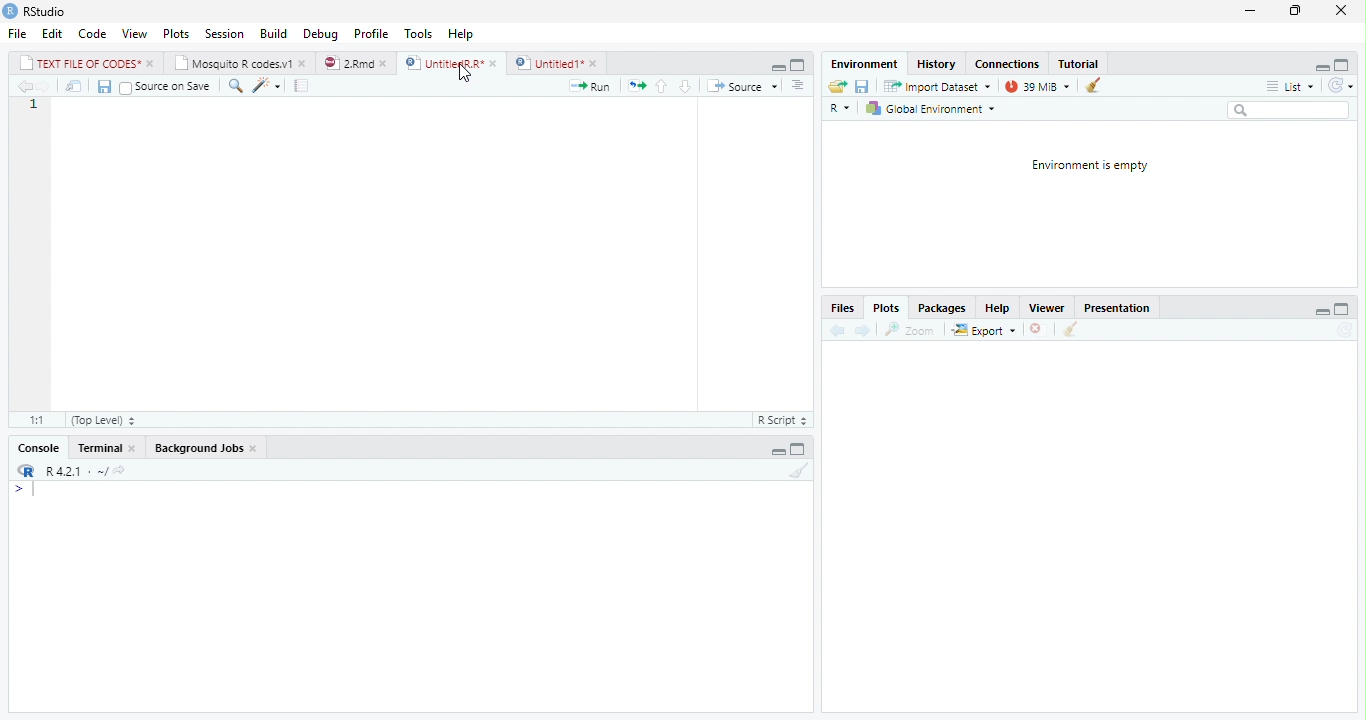 The height and width of the screenshot is (720, 1366). What do you see at coordinates (23, 489) in the screenshot?
I see `Typing Indicator` at bounding box center [23, 489].